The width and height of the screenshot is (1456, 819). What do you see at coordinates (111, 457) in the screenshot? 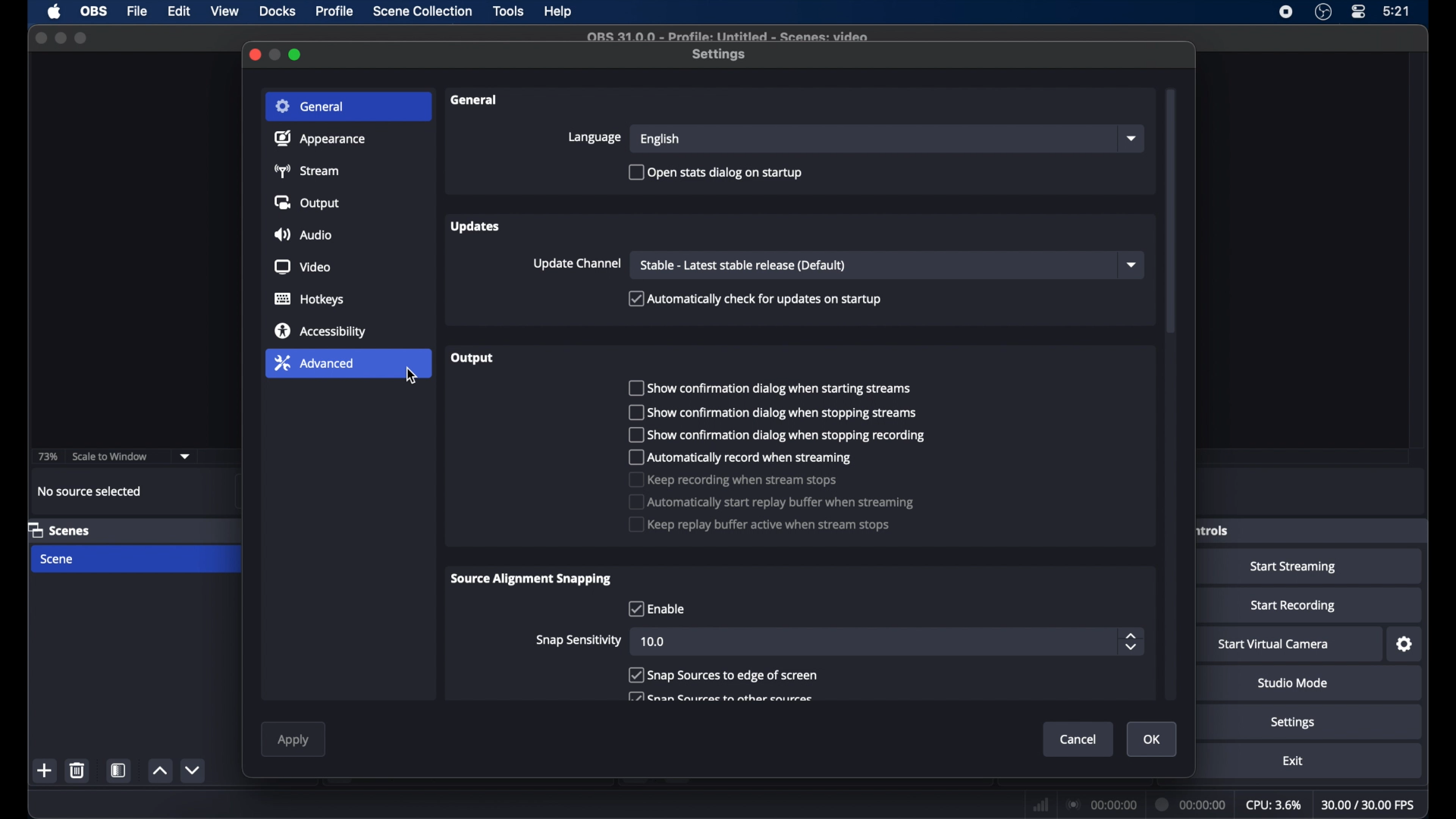
I see `scale to window` at bounding box center [111, 457].